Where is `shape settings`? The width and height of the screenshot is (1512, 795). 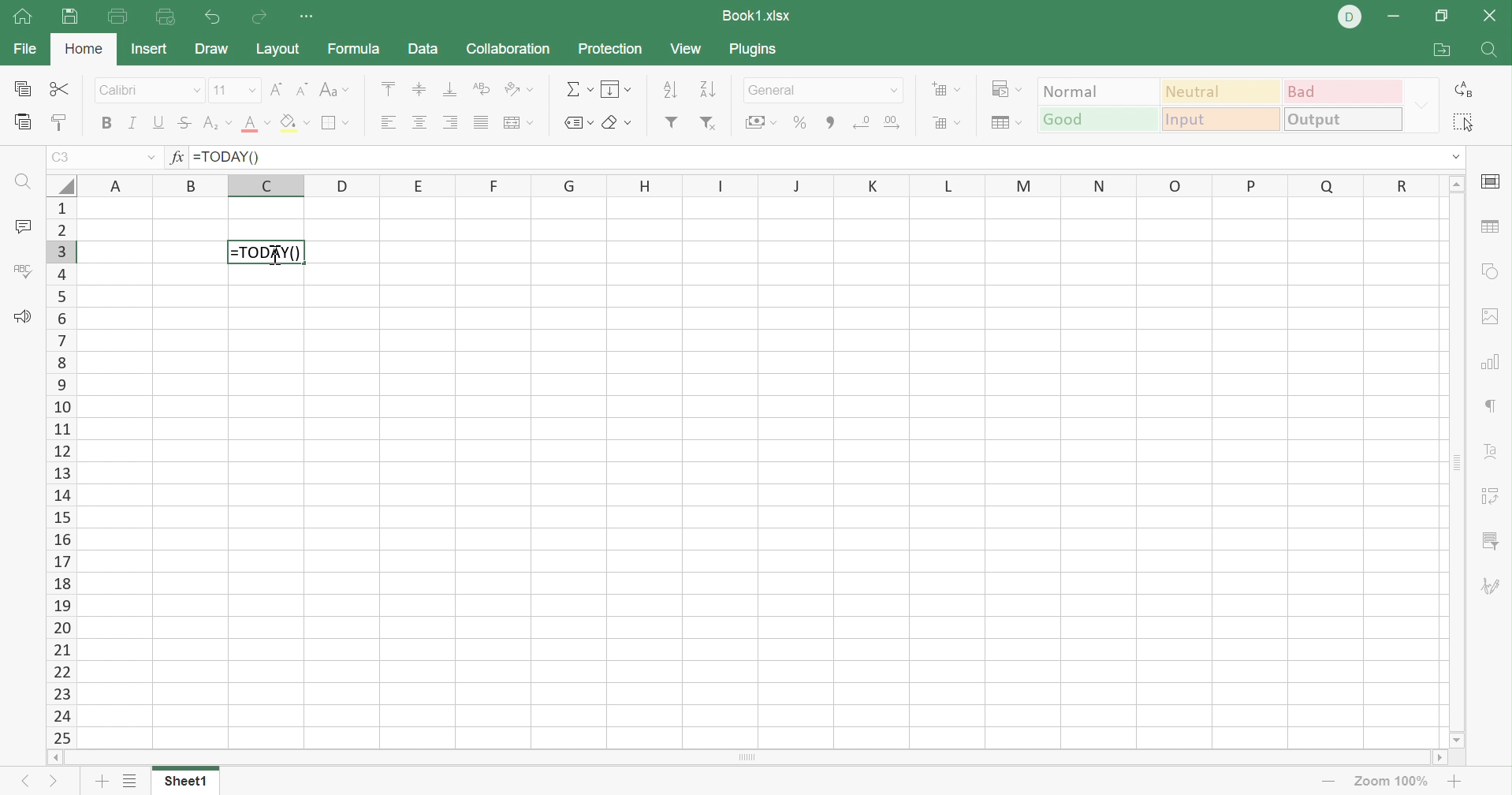 shape settings is located at coordinates (1491, 272).